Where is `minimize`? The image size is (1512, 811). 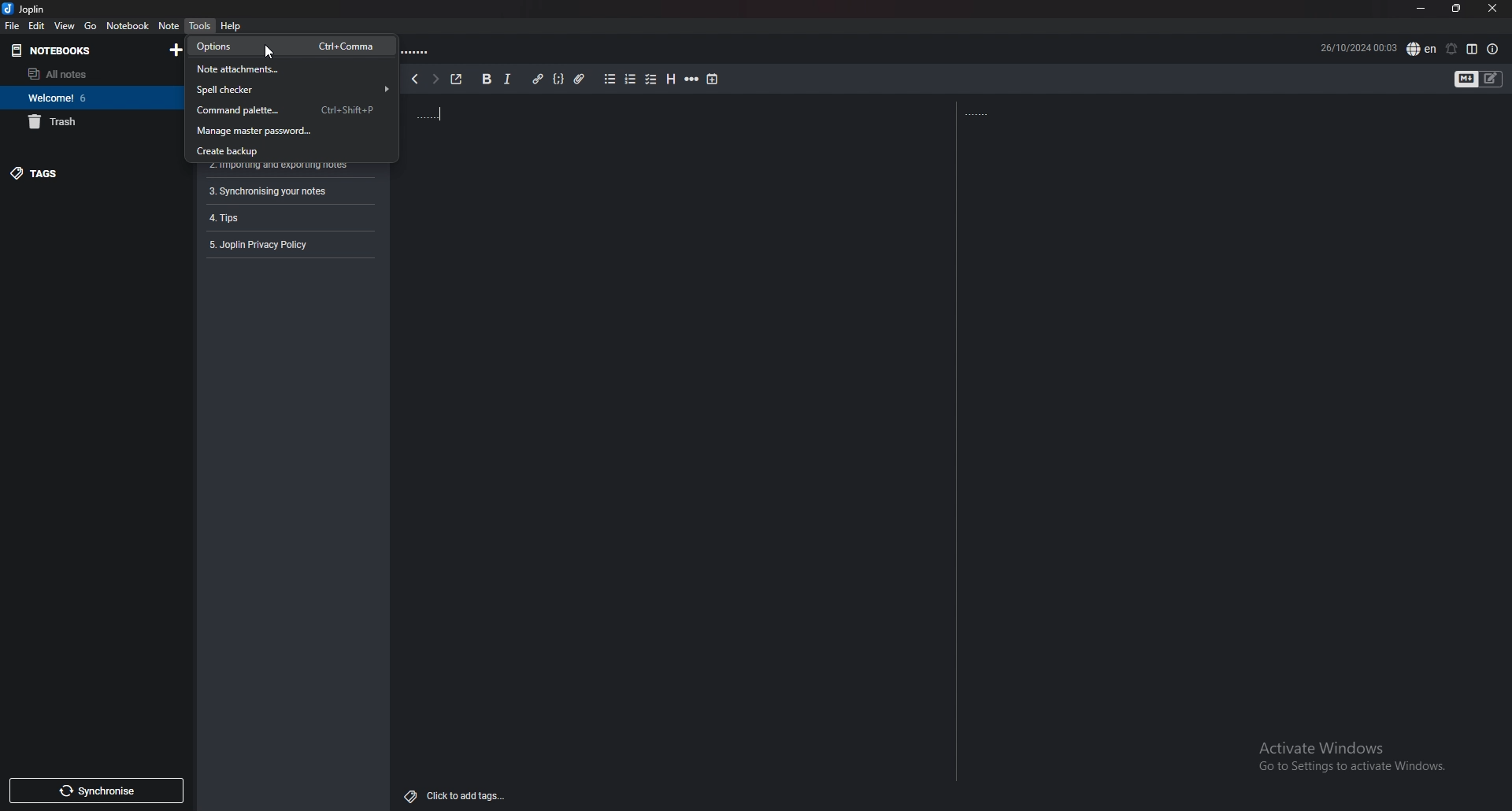 minimize is located at coordinates (1419, 7).